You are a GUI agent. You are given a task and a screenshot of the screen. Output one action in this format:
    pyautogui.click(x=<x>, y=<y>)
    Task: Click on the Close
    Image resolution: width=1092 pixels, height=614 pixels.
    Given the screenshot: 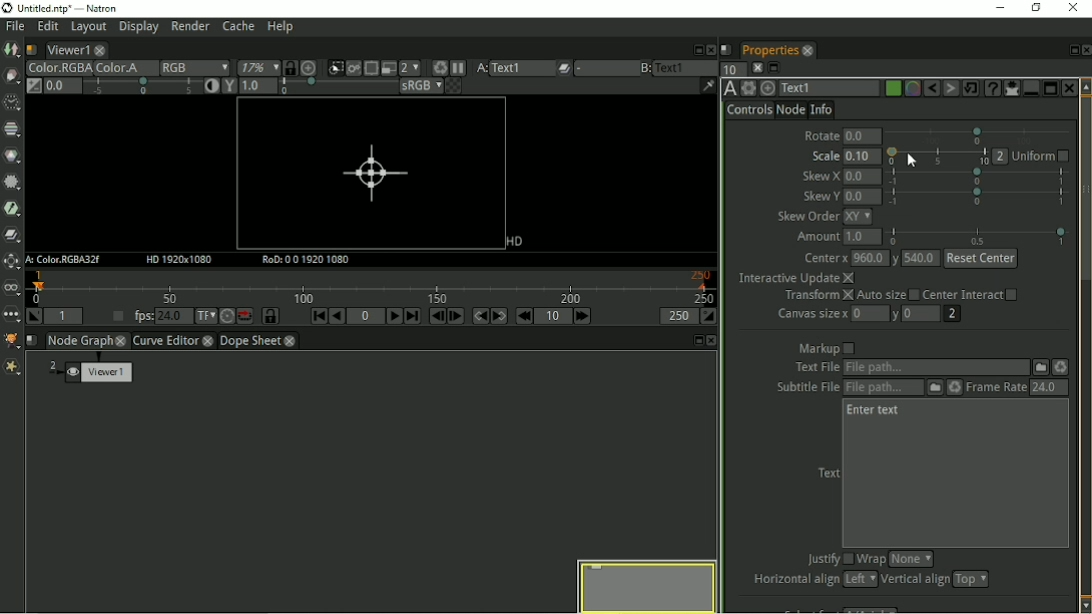 What is the action you would take?
    pyautogui.click(x=1070, y=88)
    